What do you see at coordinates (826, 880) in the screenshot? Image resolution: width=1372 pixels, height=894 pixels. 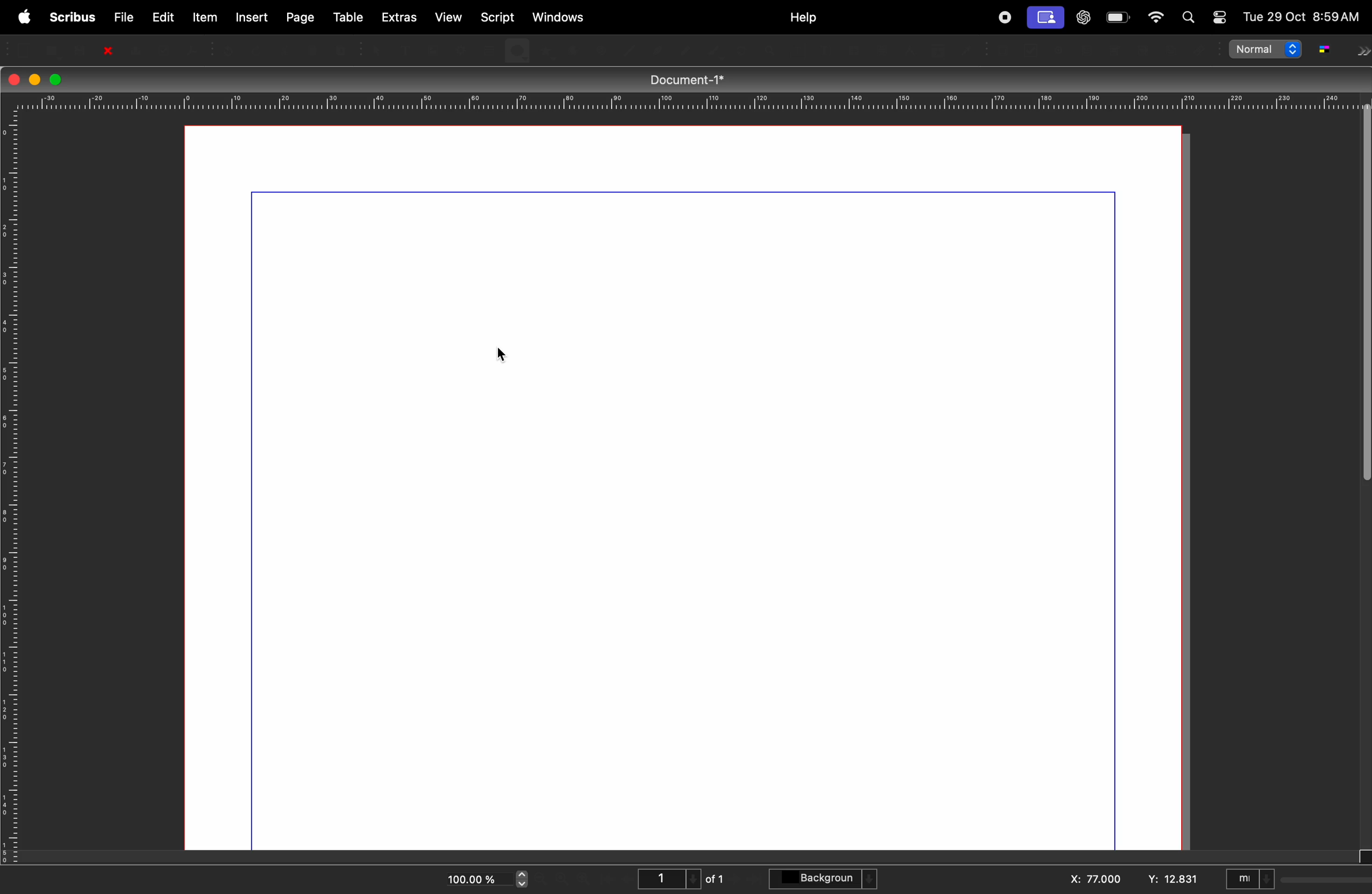 I see `background` at bounding box center [826, 880].